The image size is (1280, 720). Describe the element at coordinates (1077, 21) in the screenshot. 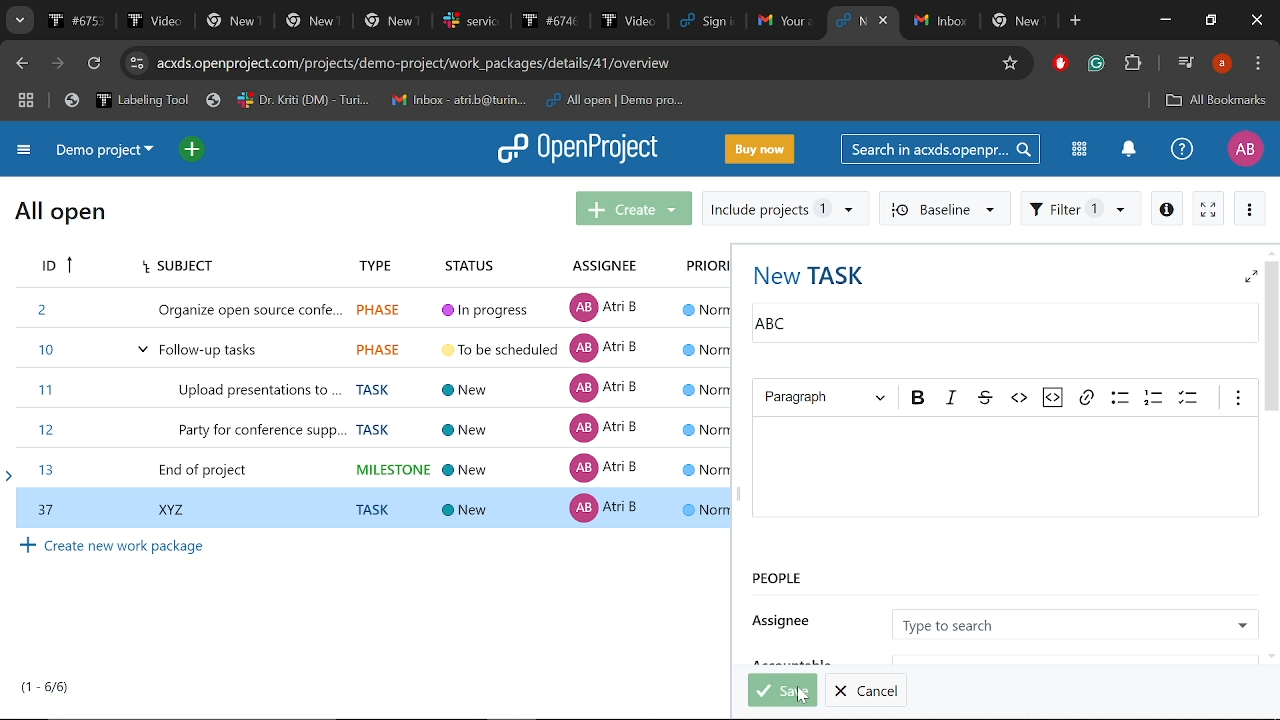

I see `Add new tab` at that location.